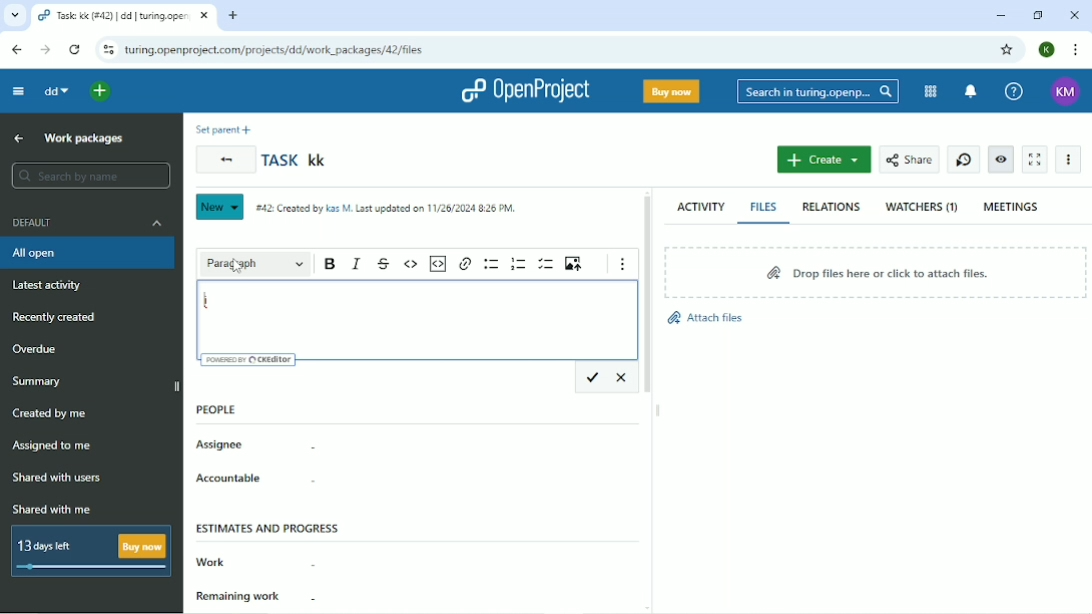  Describe the element at coordinates (46, 49) in the screenshot. I see `Forward` at that location.